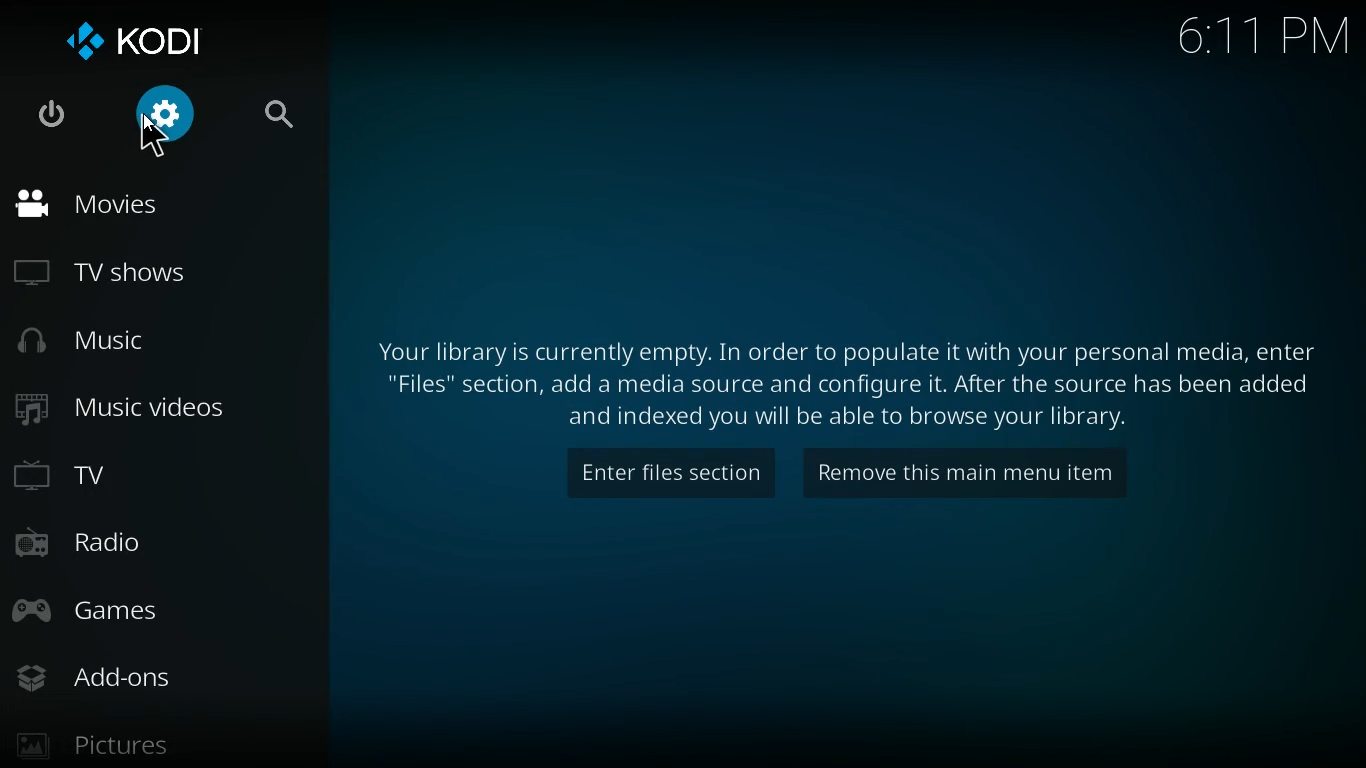 Image resolution: width=1366 pixels, height=768 pixels. Describe the element at coordinates (102, 743) in the screenshot. I see `pictures` at that location.